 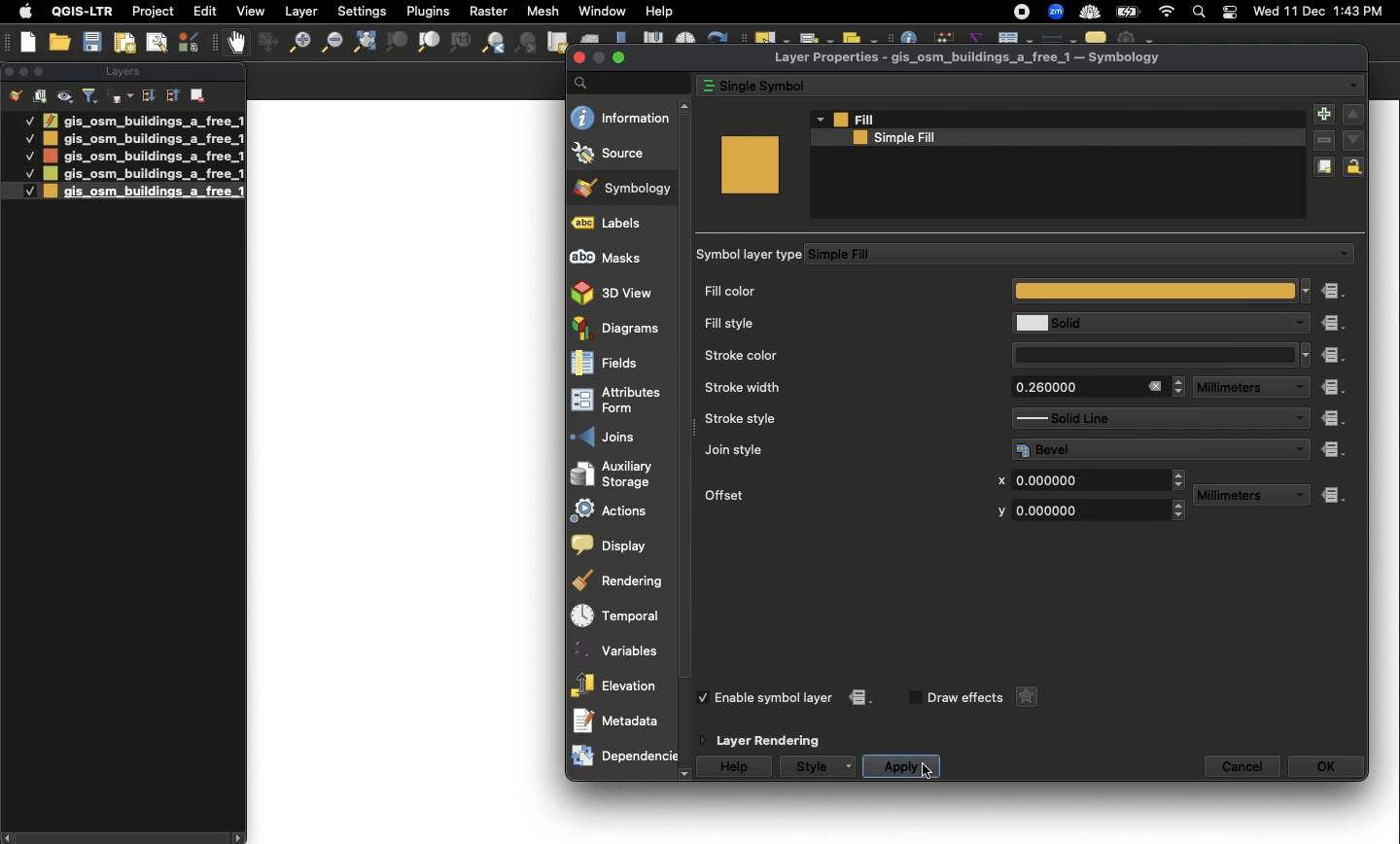 I want to click on , so click(x=1153, y=354).